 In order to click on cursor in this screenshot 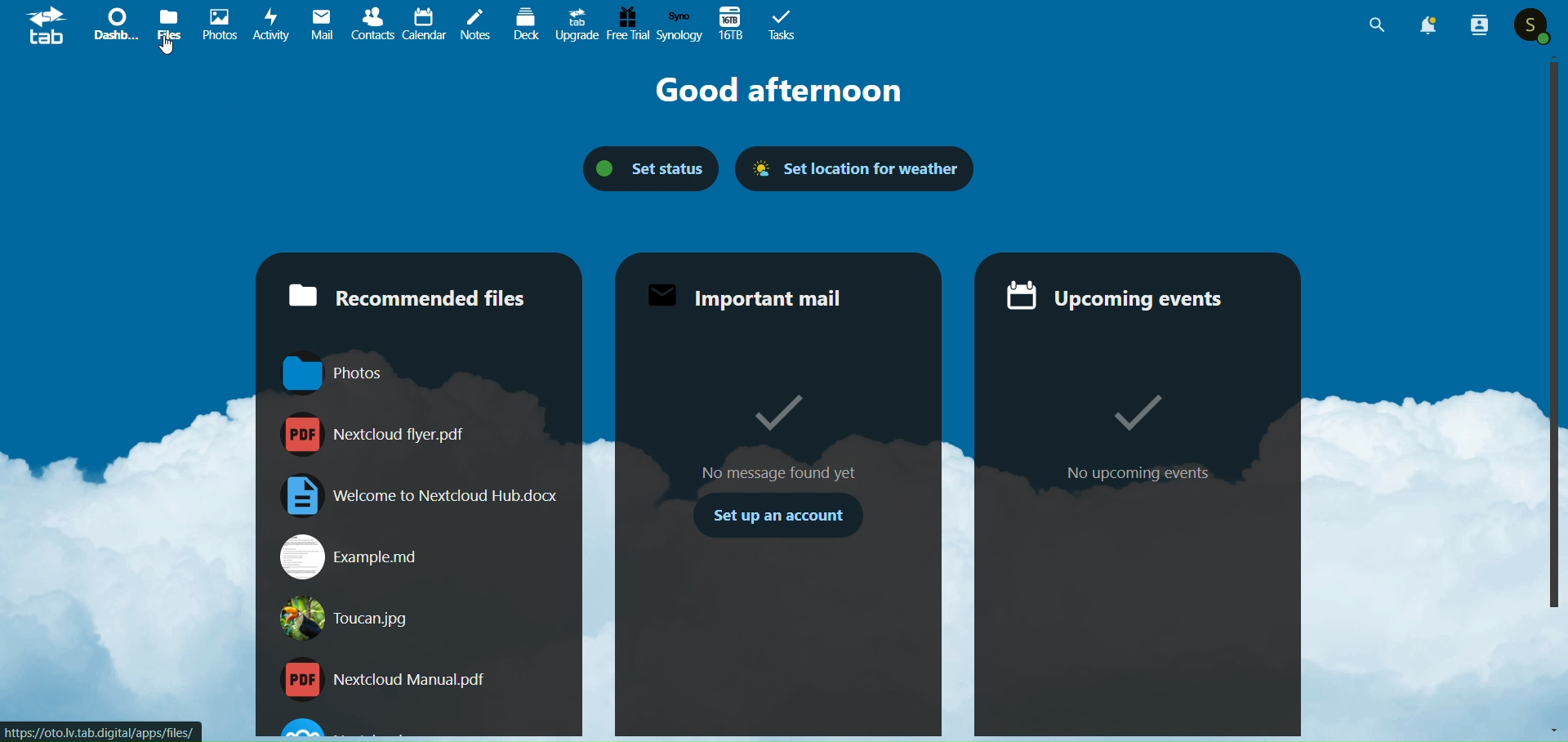, I will do `click(167, 46)`.